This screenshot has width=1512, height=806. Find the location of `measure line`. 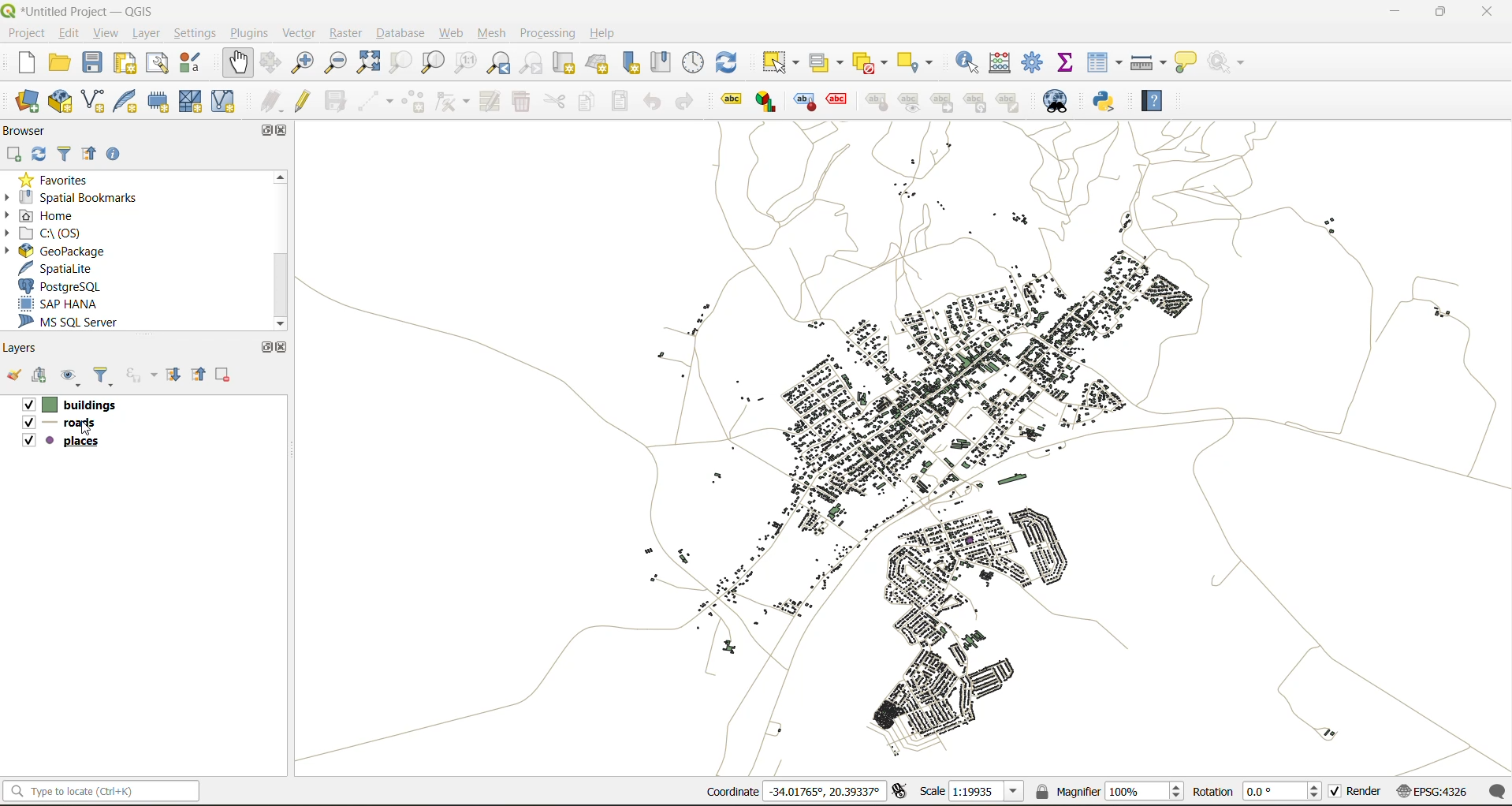

measure line is located at coordinates (1149, 62).